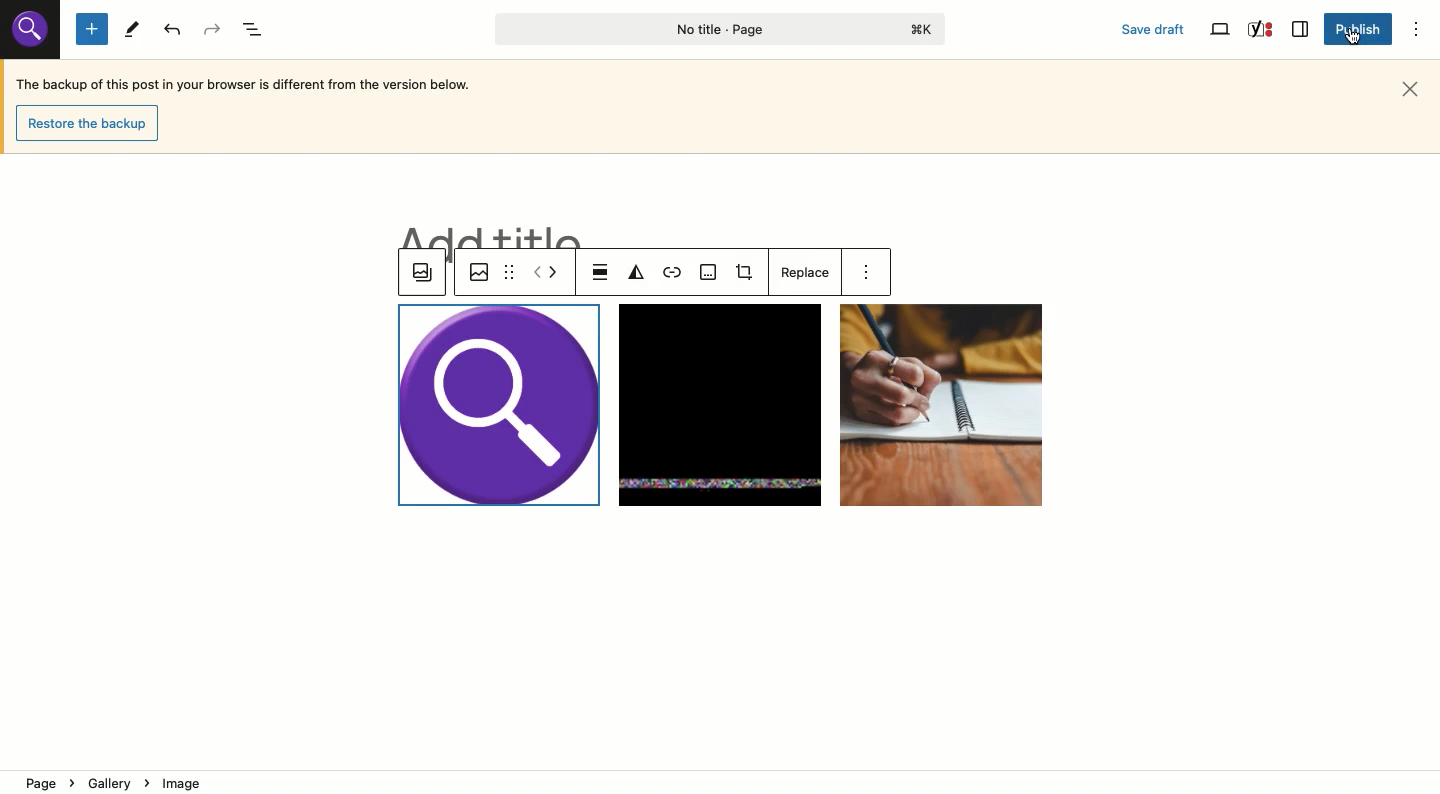  Describe the element at coordinates (174, 31) in the screenshot. I see `Undo` at that location.